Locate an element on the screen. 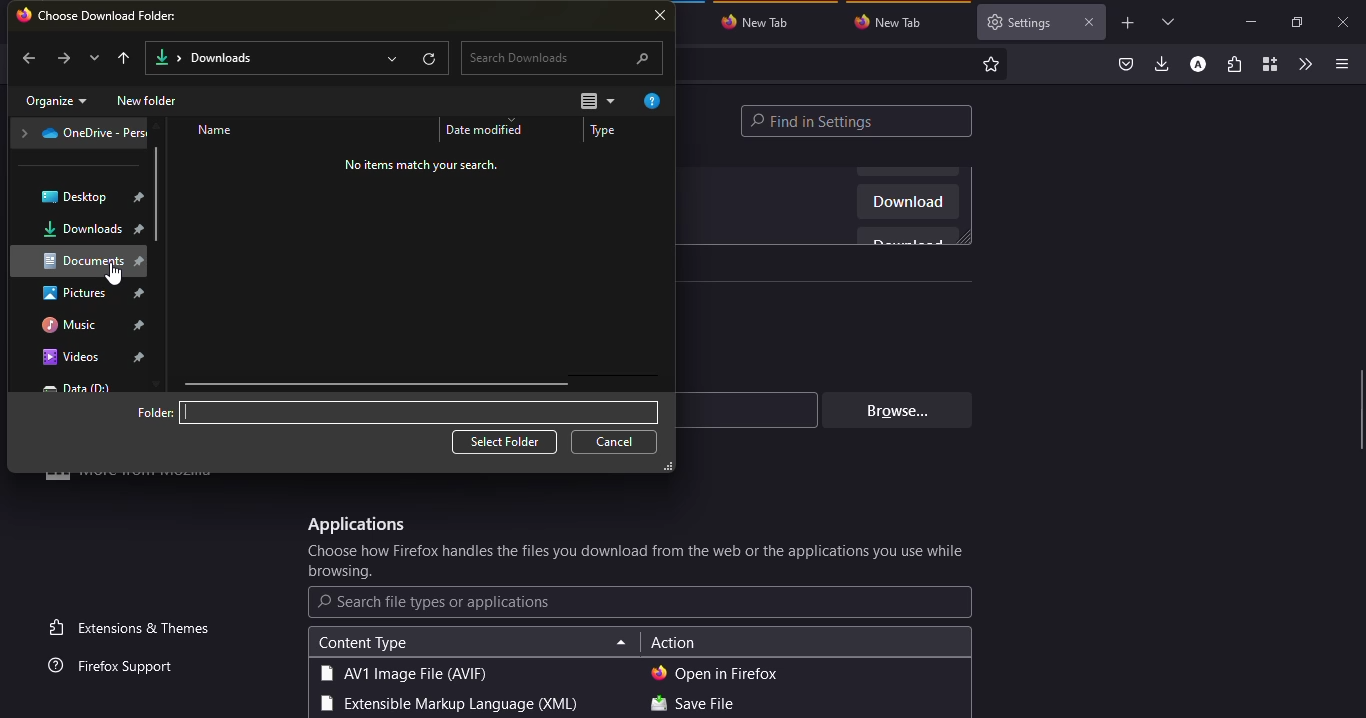 This screenshot has height=718, width=1366. location is located at coordinates (76, 323).